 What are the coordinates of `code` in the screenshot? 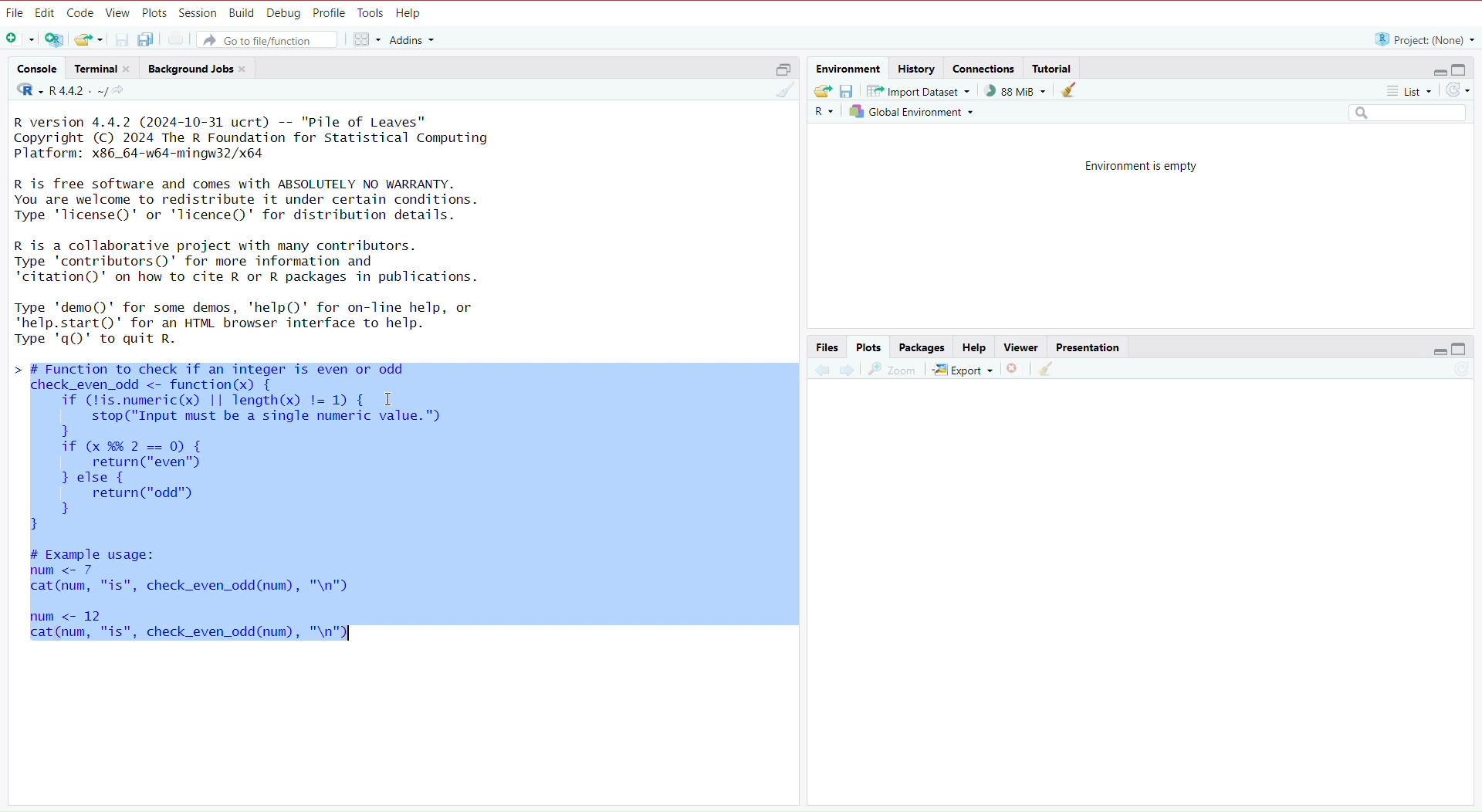 It's located at (80, 13).